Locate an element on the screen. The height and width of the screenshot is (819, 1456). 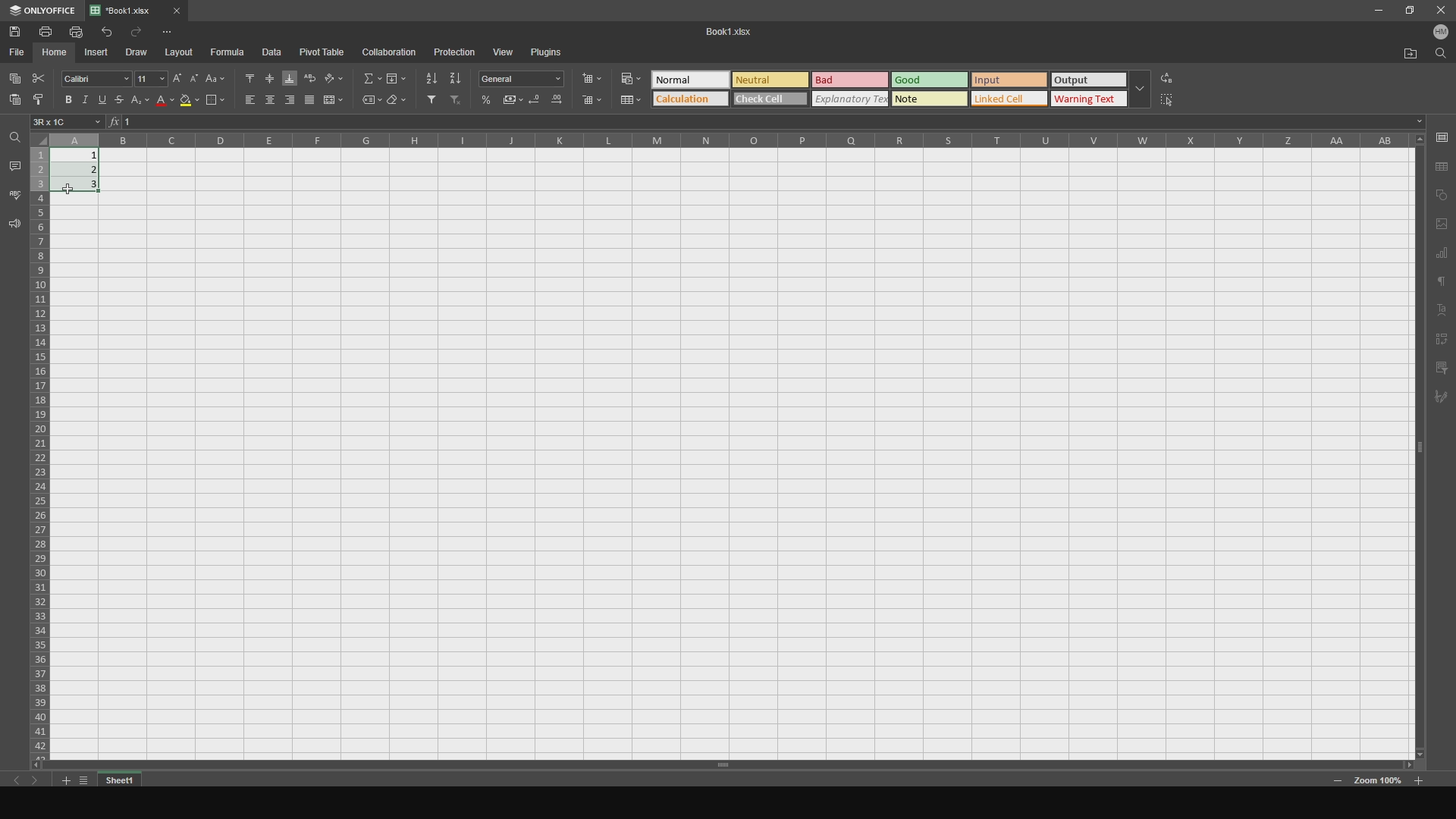
find is located at coordinates (14, 138).